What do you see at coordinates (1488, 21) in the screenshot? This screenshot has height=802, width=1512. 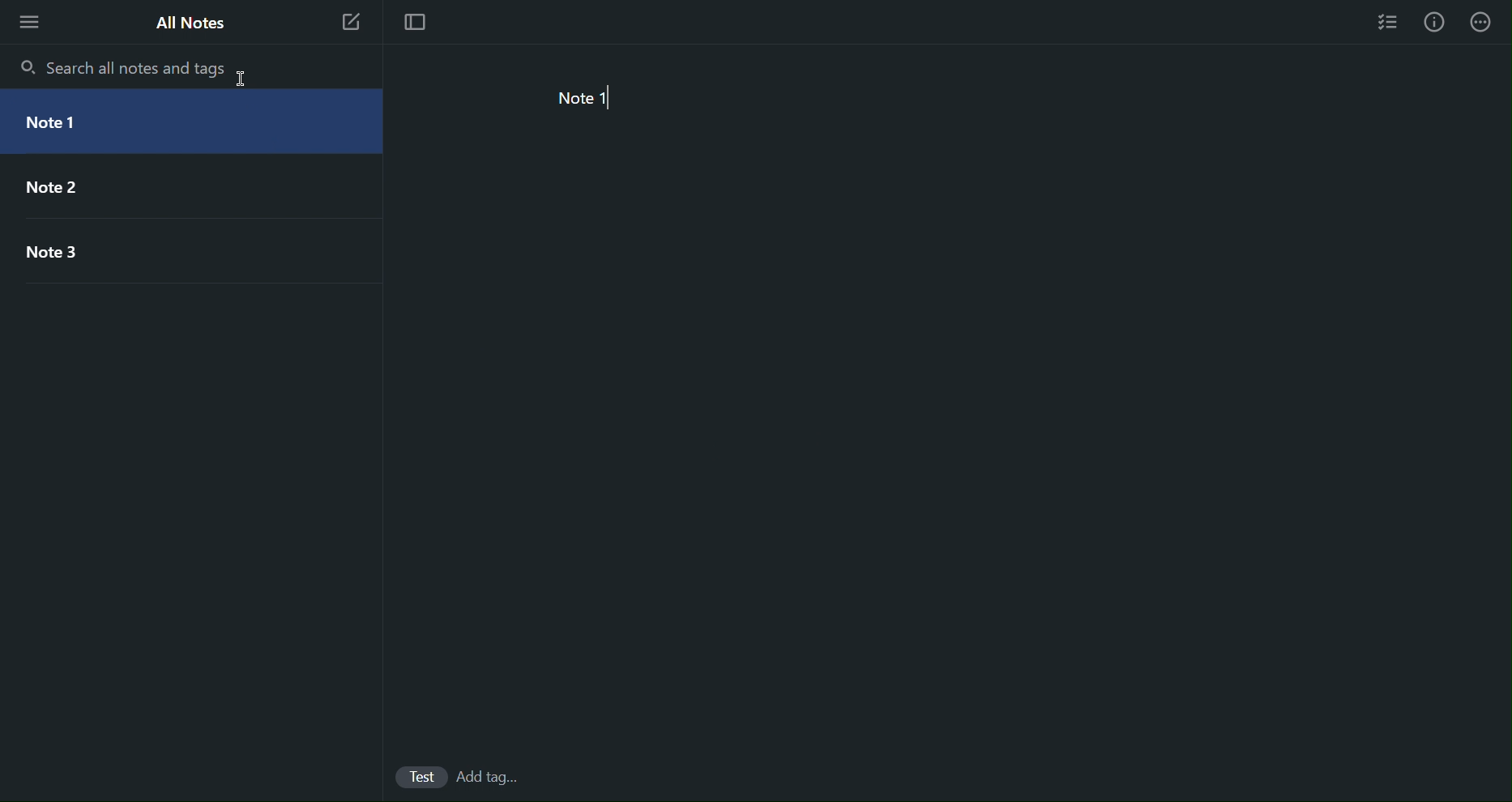 I see `More` at bounding box center [1488, 21].